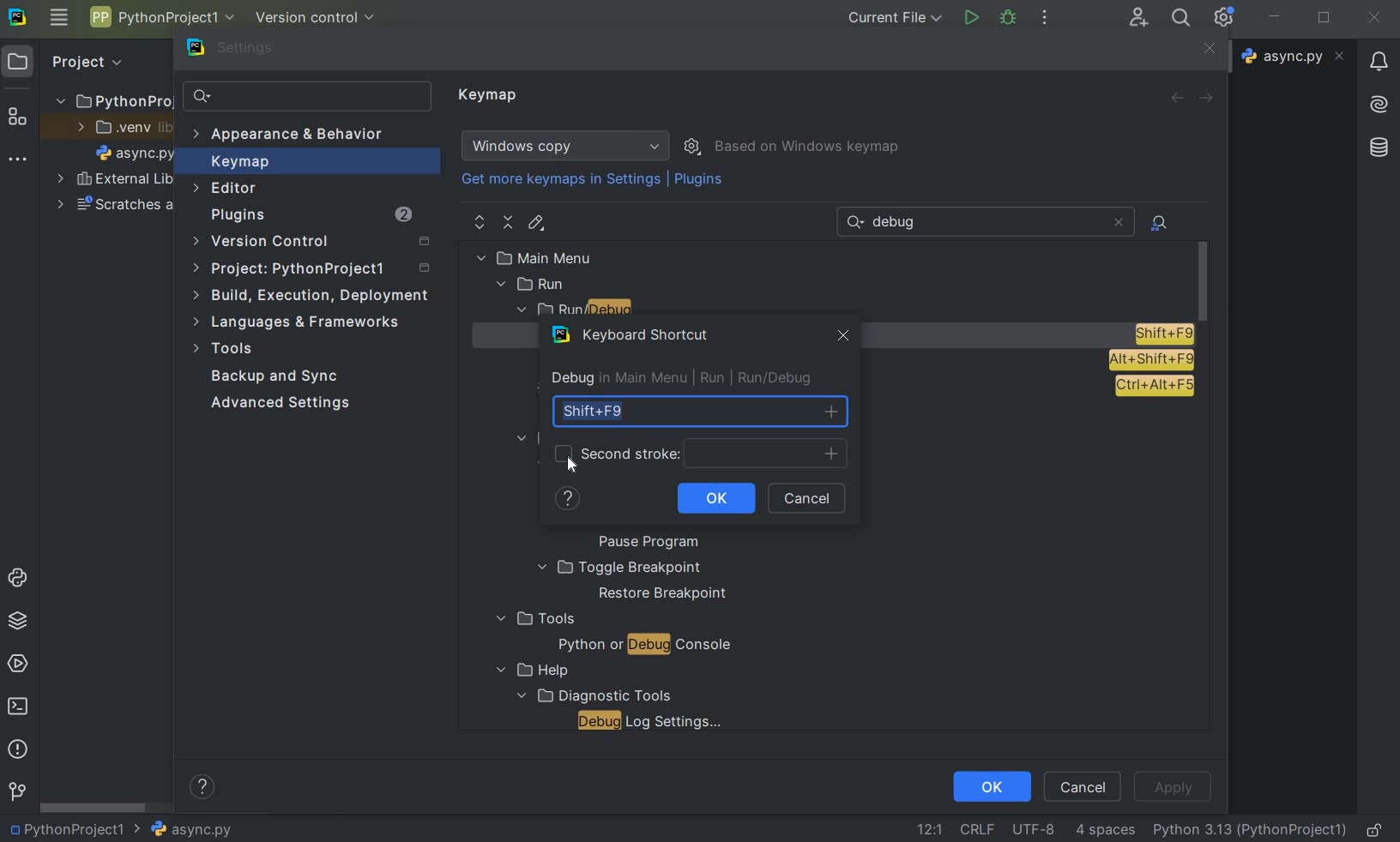 The image size is (1400, 842). Describe the element at coordinates (615, 379) in the screenshot. I see `debug inmain menu` at that location.